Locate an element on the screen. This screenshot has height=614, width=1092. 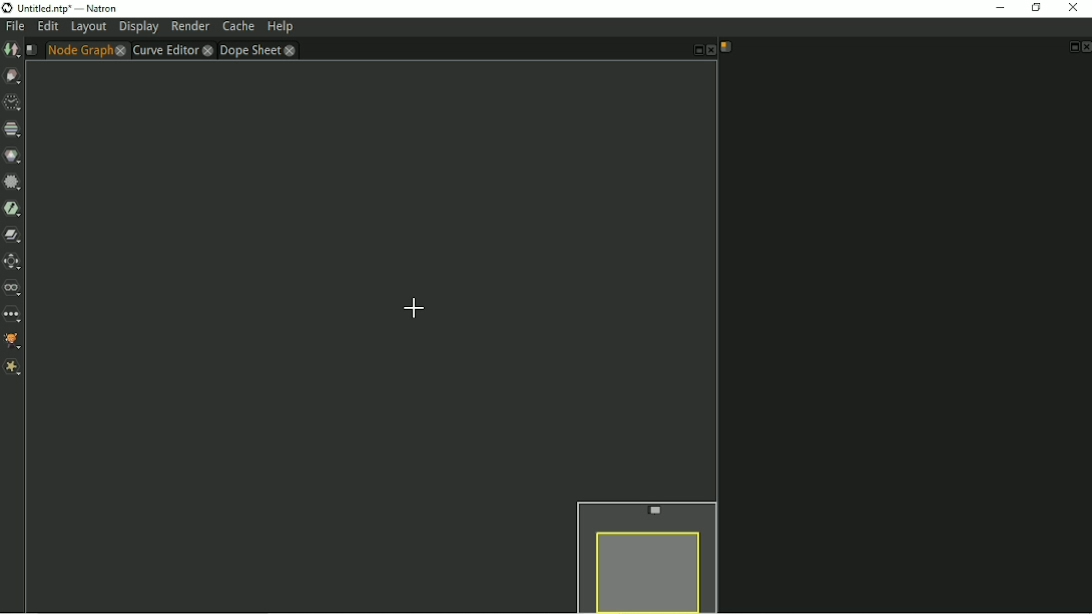
Restore down is located at coordinates (1034, 8).